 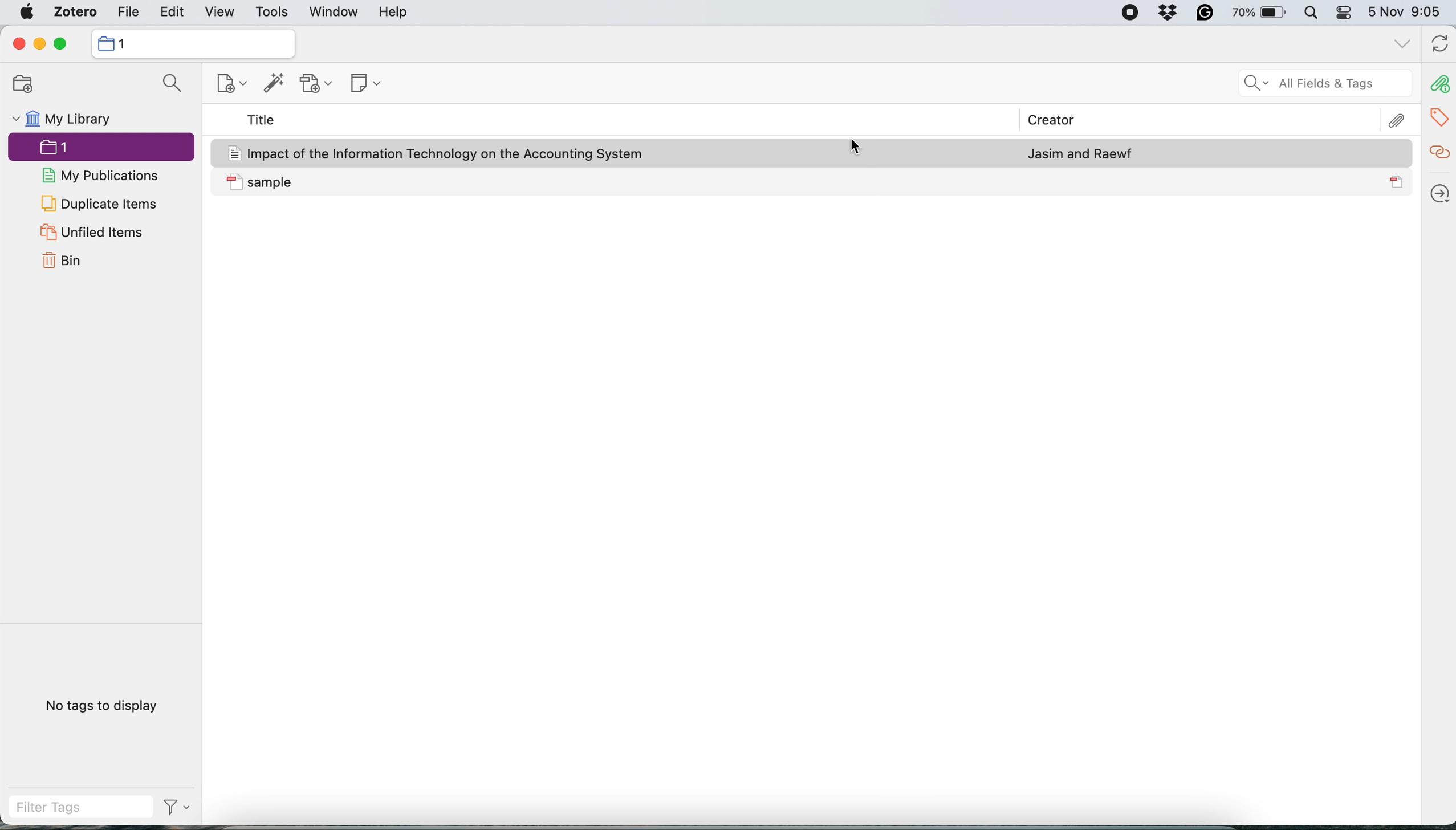 What do you see at coordinates (91, 233) in the screenshot?
I see `unfiled items` at bounding box center [91, 233].